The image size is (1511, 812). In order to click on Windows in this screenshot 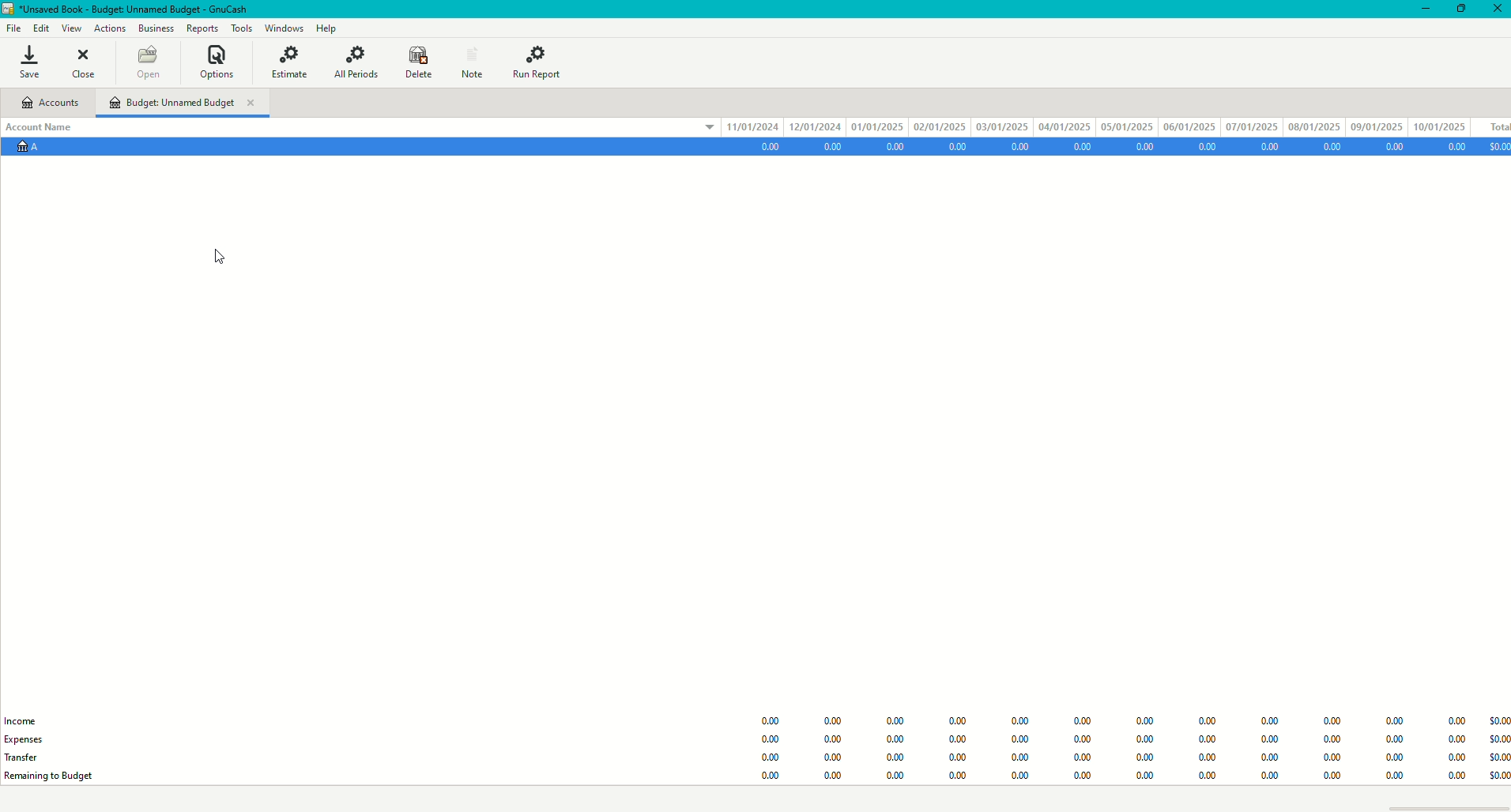, I will do `click(282, 26)`.